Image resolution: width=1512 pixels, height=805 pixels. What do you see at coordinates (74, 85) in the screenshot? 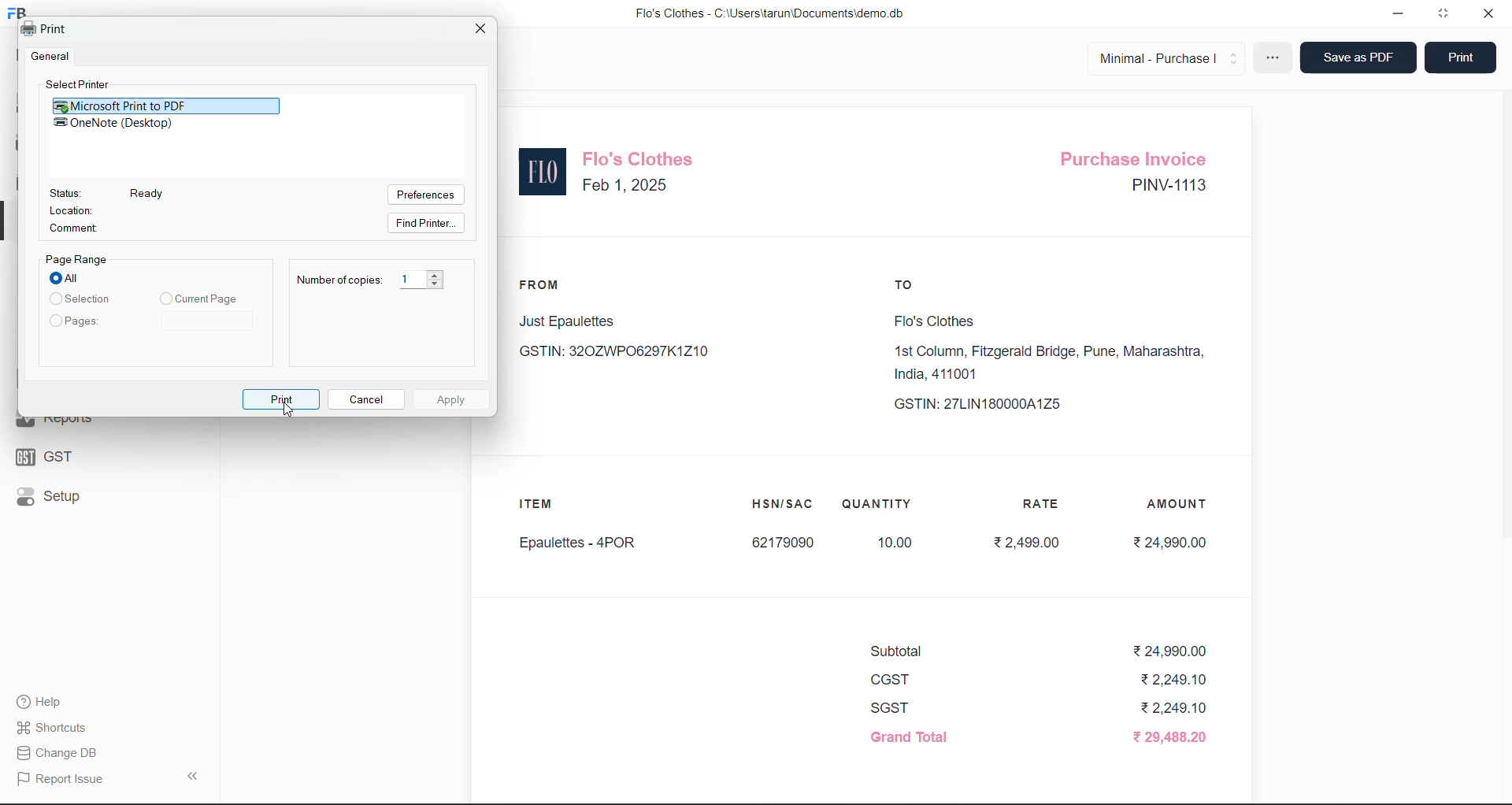
I see `Select Printer` at bounding box center [74, 85].